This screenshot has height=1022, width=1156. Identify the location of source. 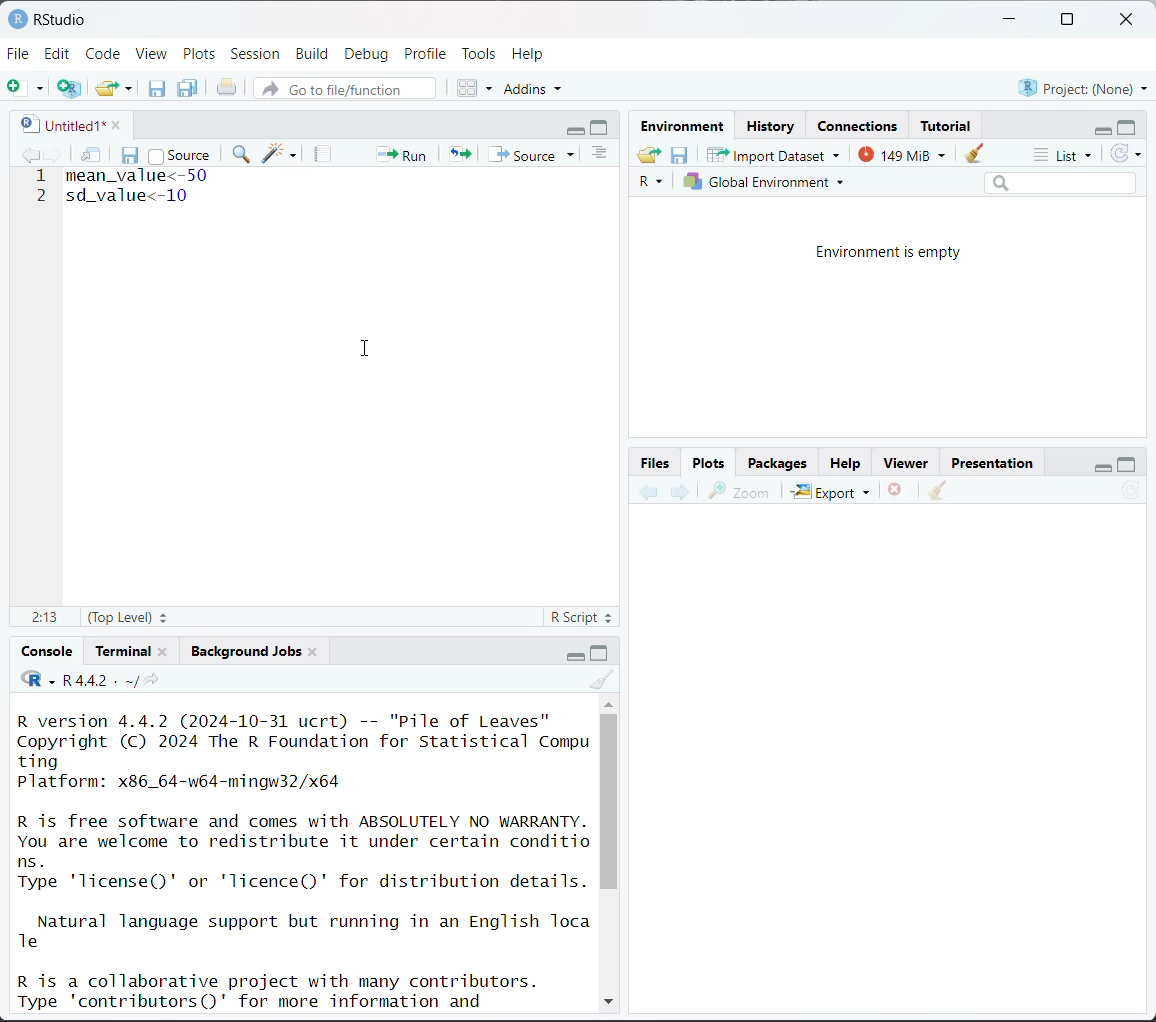
(535, 154).